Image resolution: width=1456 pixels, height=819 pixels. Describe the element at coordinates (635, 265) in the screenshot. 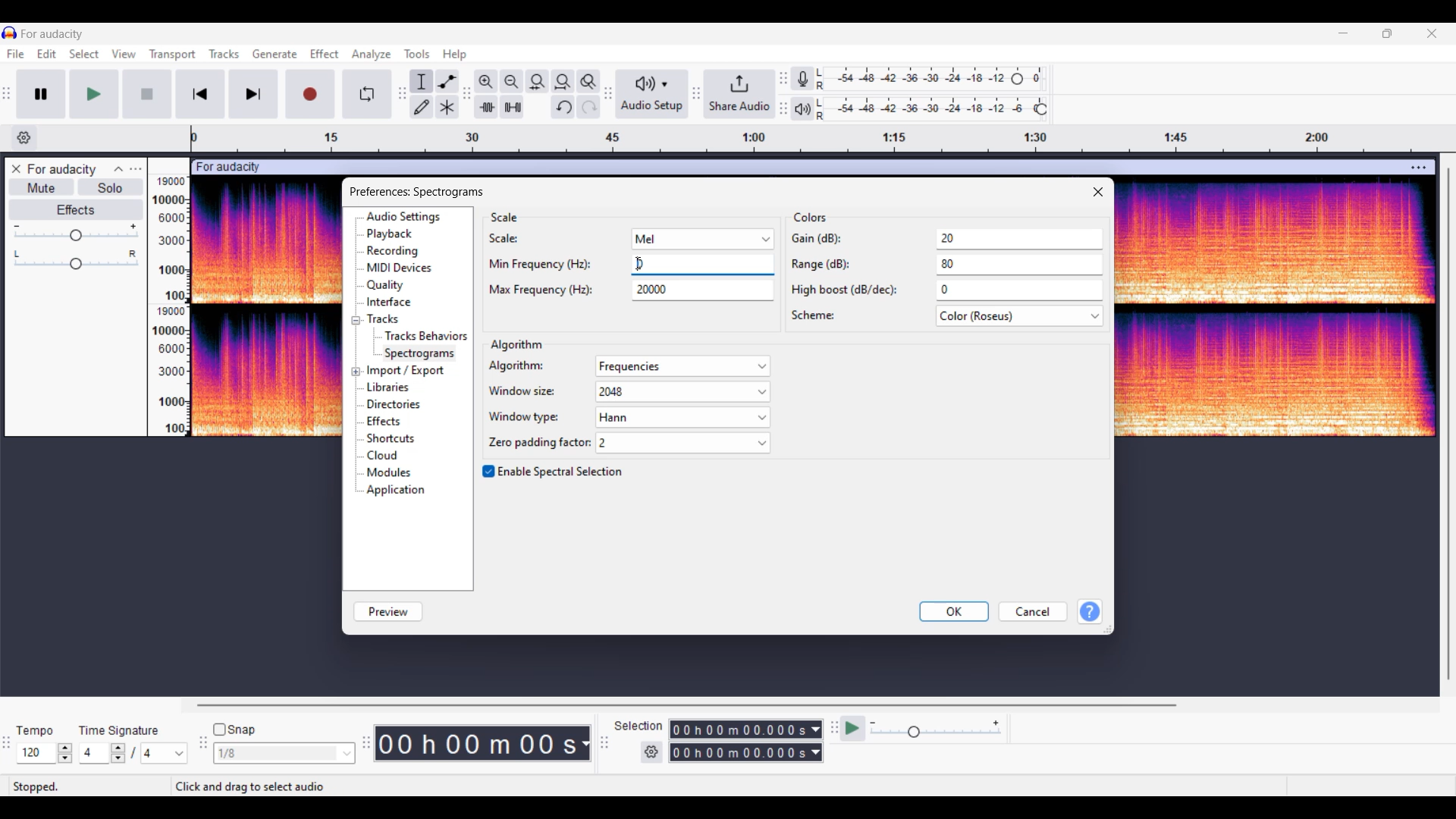

I see `text cursor` at that location.